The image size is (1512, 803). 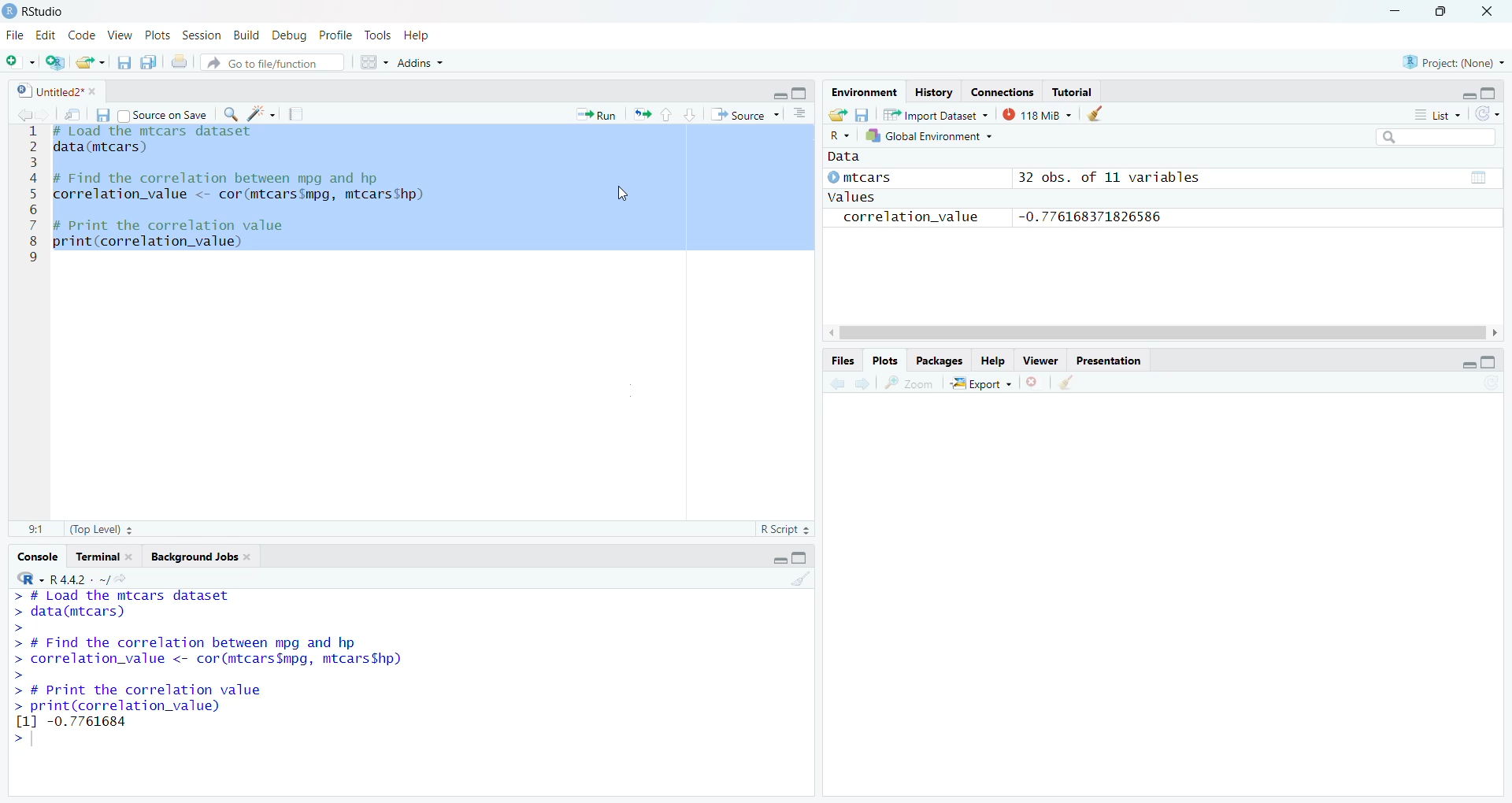 What do you see at coordinates (862, 113) in the screenshot?
I see `Save workspace as` at bounding box center [862, 113].